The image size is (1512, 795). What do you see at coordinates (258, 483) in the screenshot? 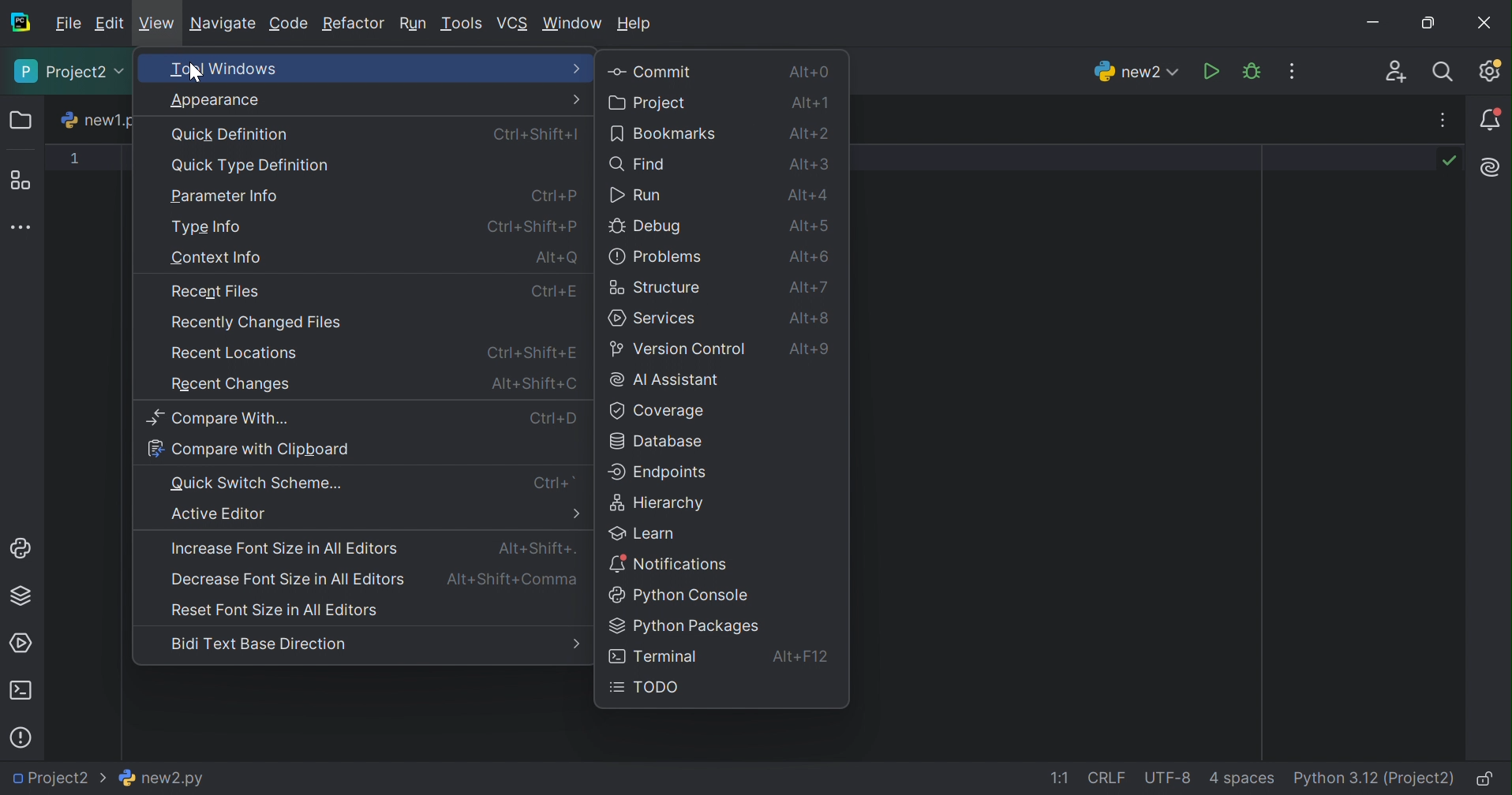
I see `Quick Switch Scheme...` at bounding box center [258, 483].